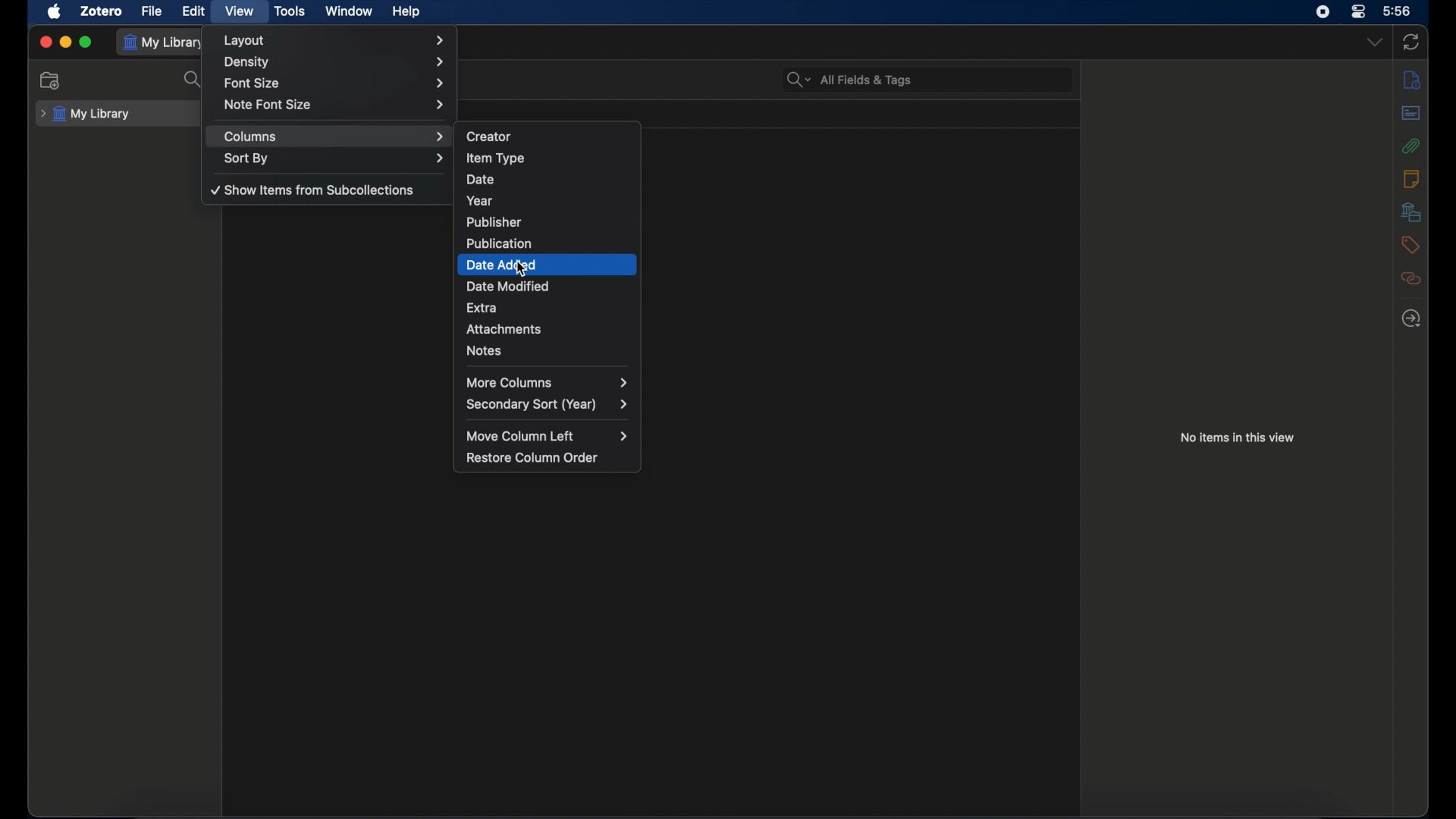  Describe the element at coordinates (1411, 112) in the screenshot. I see `abstract` at that location.